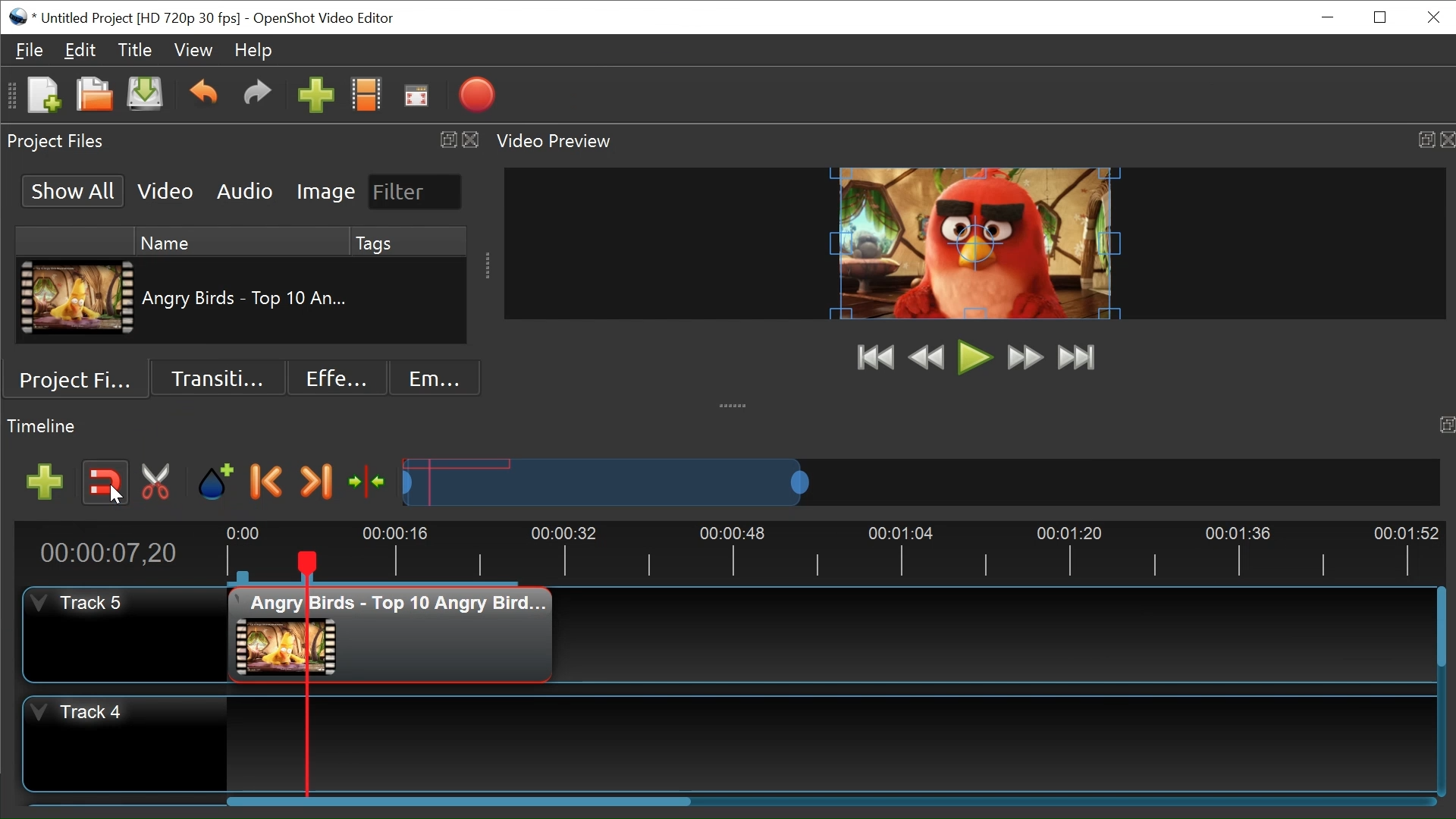  What do you see at coordinates (125, 742) in the screenshot?
I see `Track Header` at bounding box center [125, 742].